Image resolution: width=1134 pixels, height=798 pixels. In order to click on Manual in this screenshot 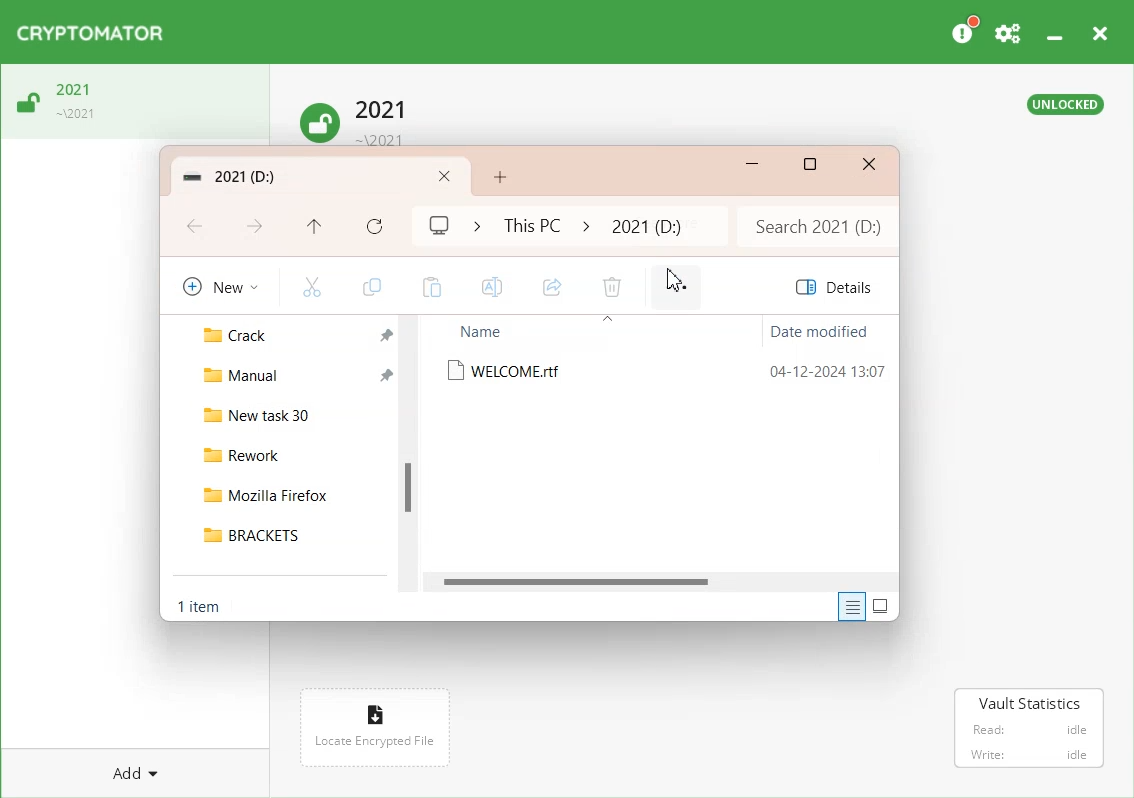, I will do `click(281, 373)`.